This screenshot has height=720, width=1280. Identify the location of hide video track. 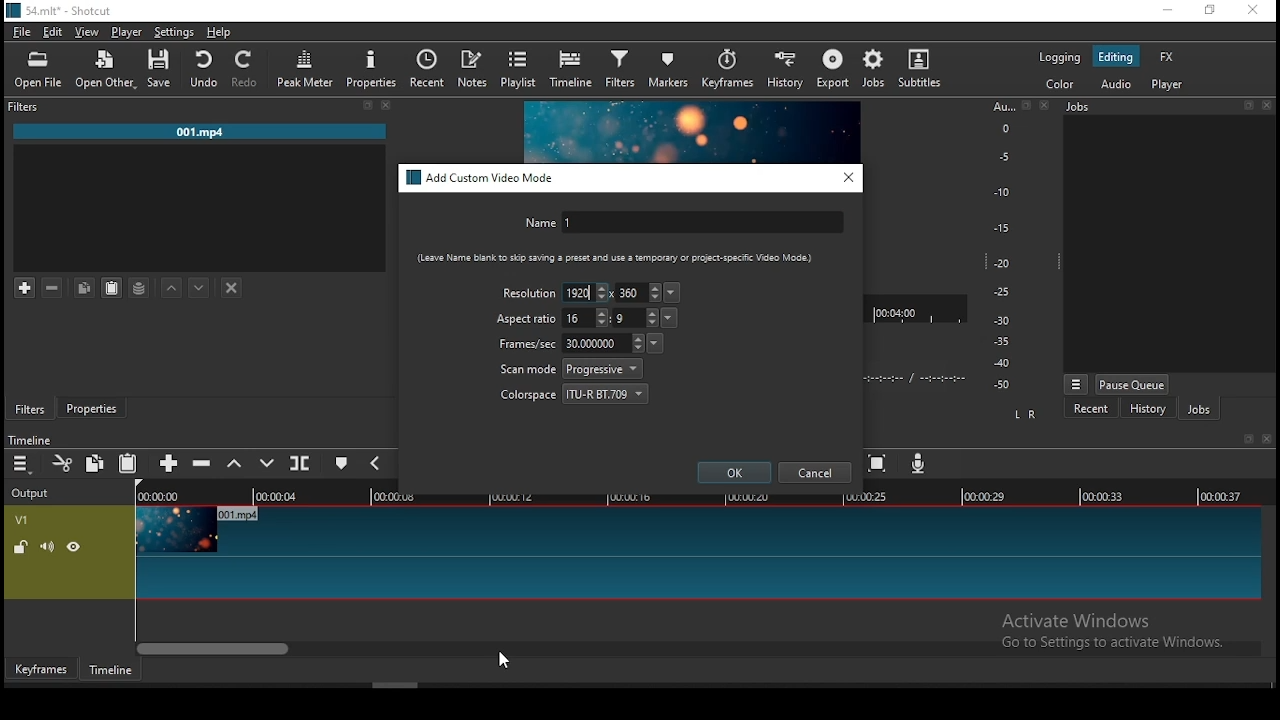
(74, 545).